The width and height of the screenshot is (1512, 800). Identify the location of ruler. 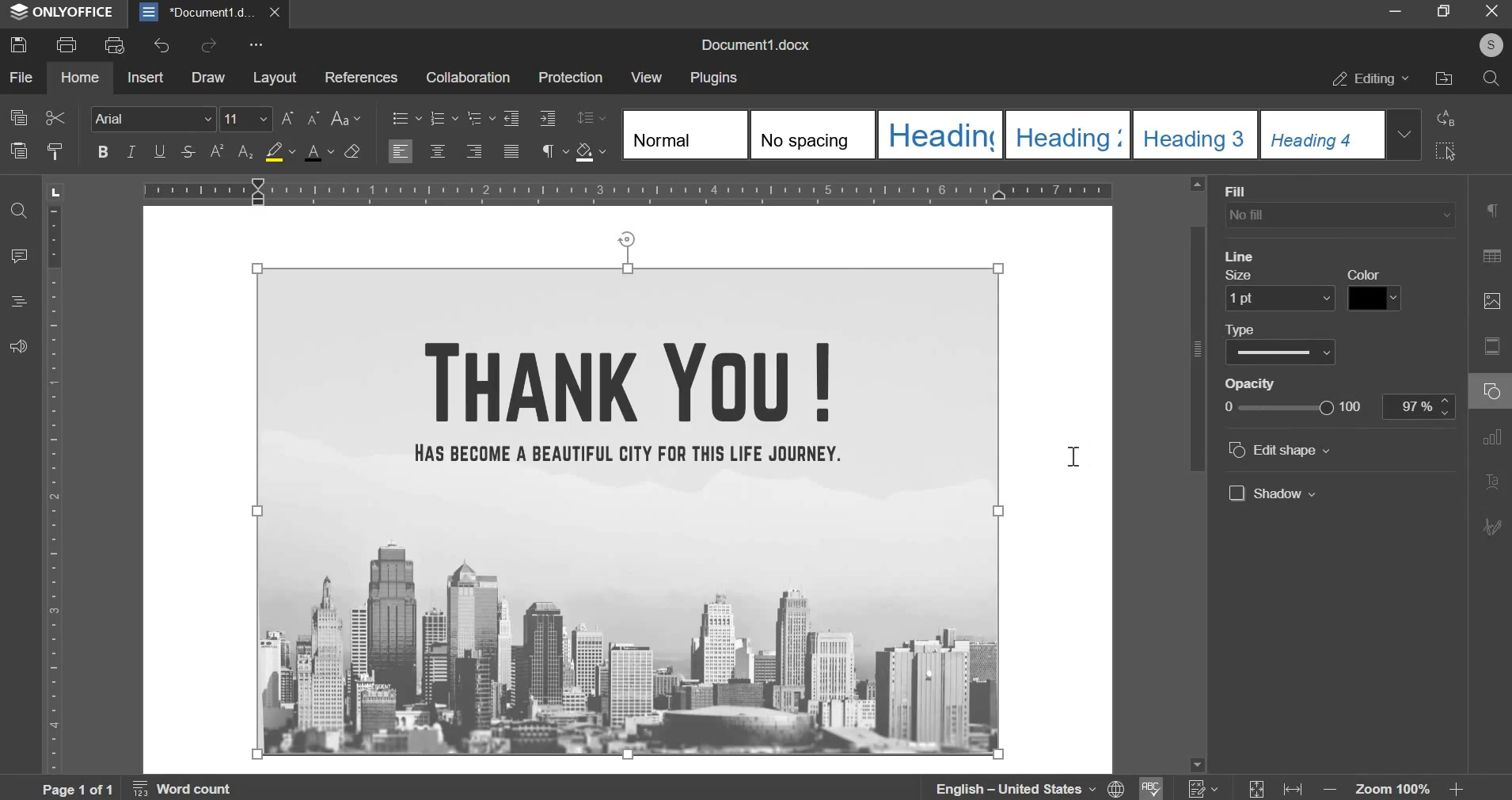
(629, 189).